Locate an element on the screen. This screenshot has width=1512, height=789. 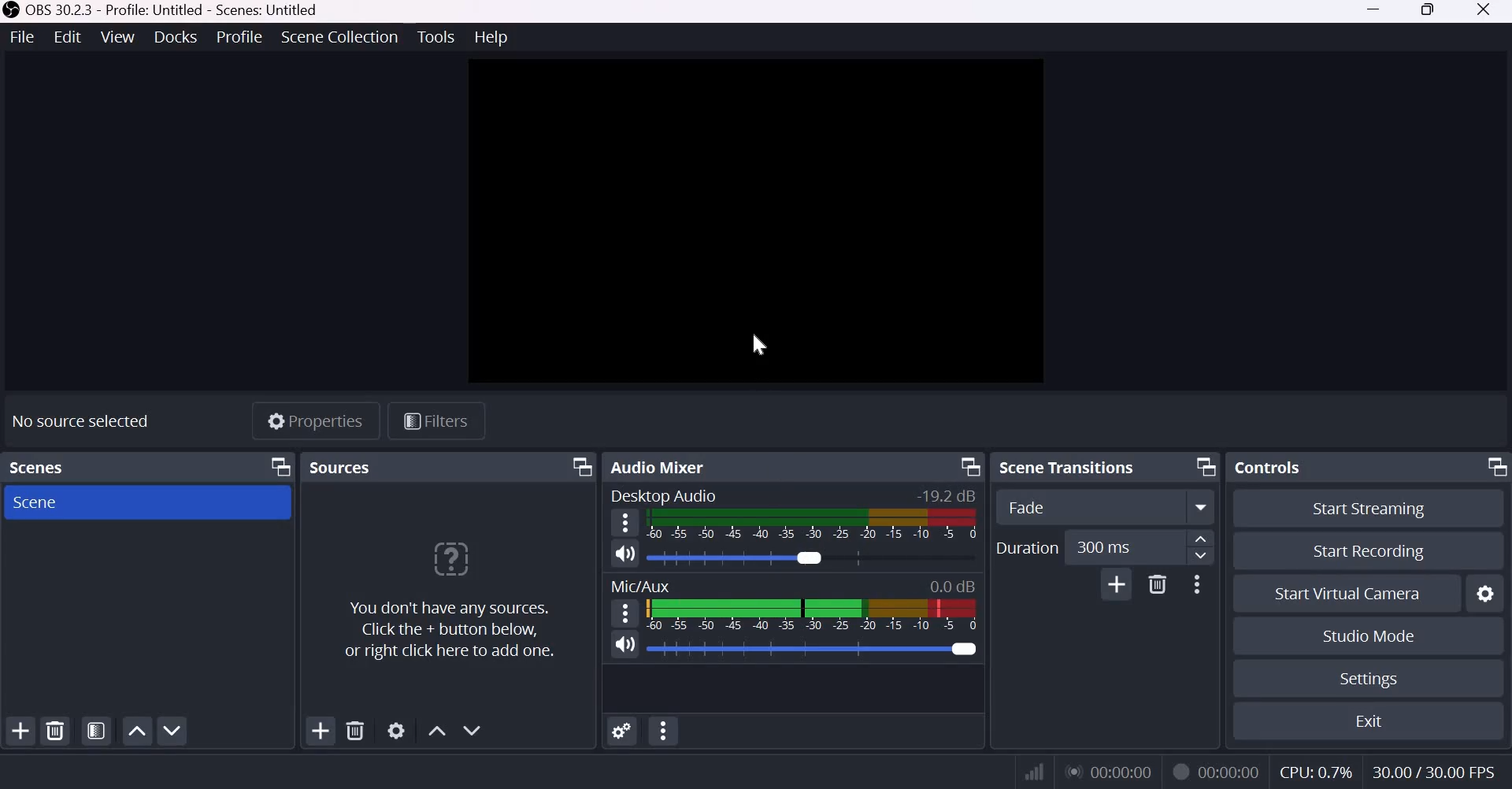
Exit is located at coordinates (1377, 722).